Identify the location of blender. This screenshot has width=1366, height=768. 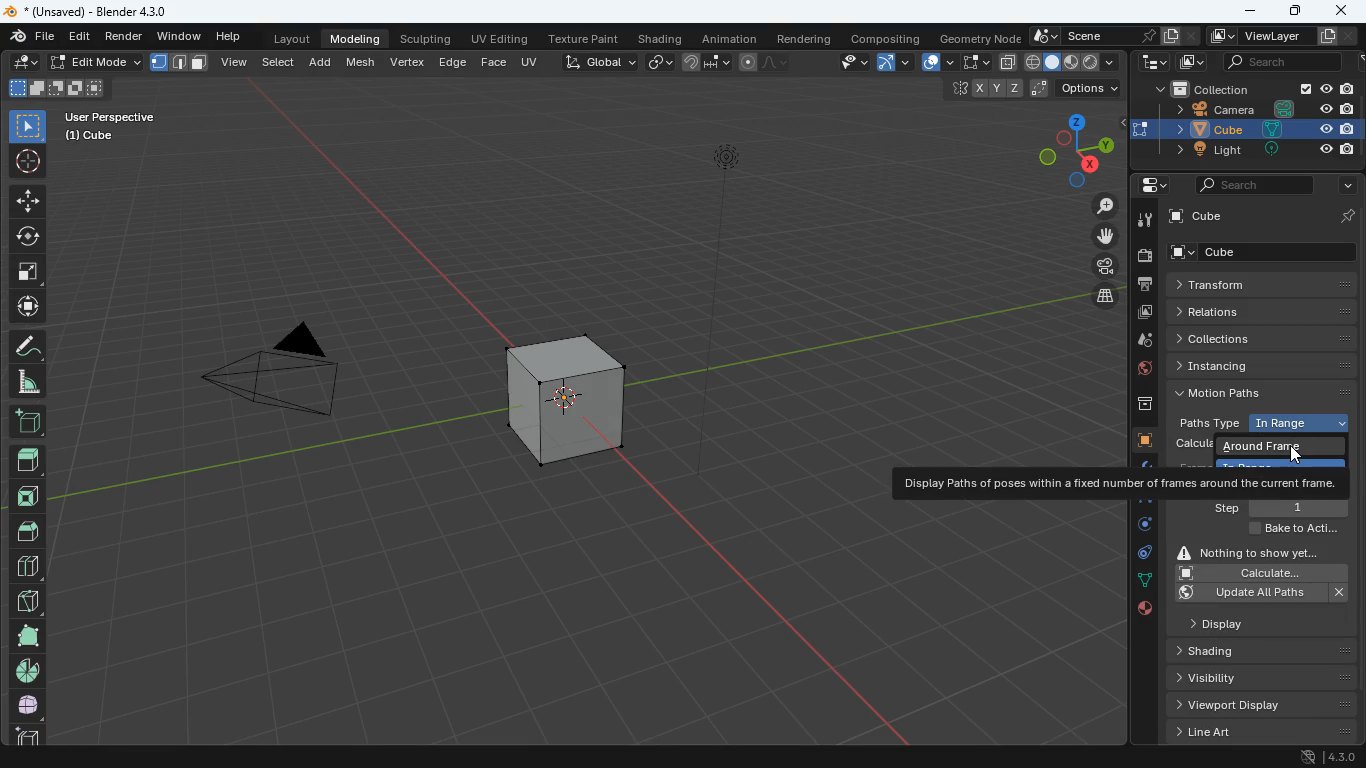
(97, 11).